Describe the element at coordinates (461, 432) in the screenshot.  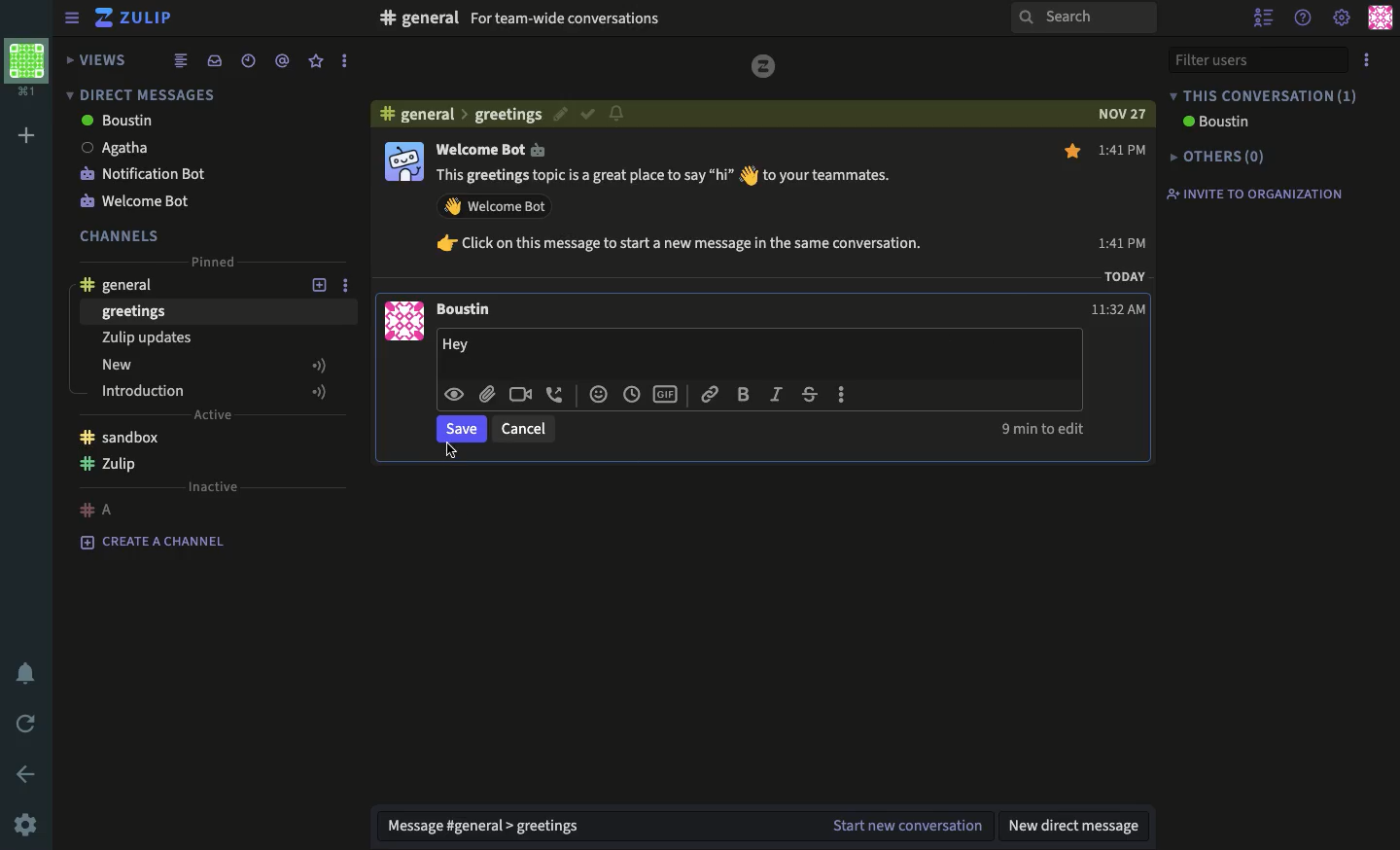
I see `save` at that location.